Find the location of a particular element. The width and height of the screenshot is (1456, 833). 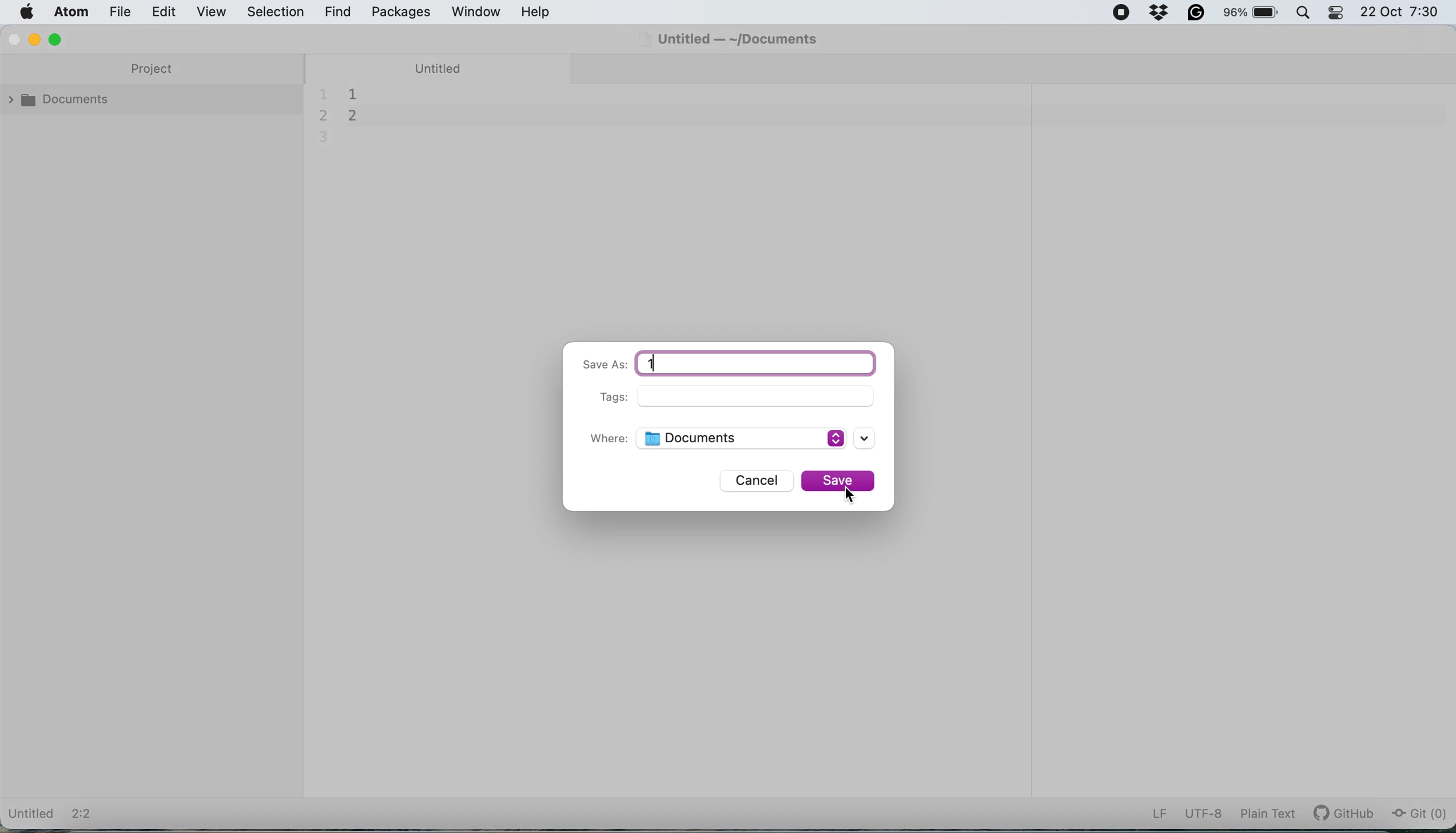

documents is located at coordinates (62, 103).